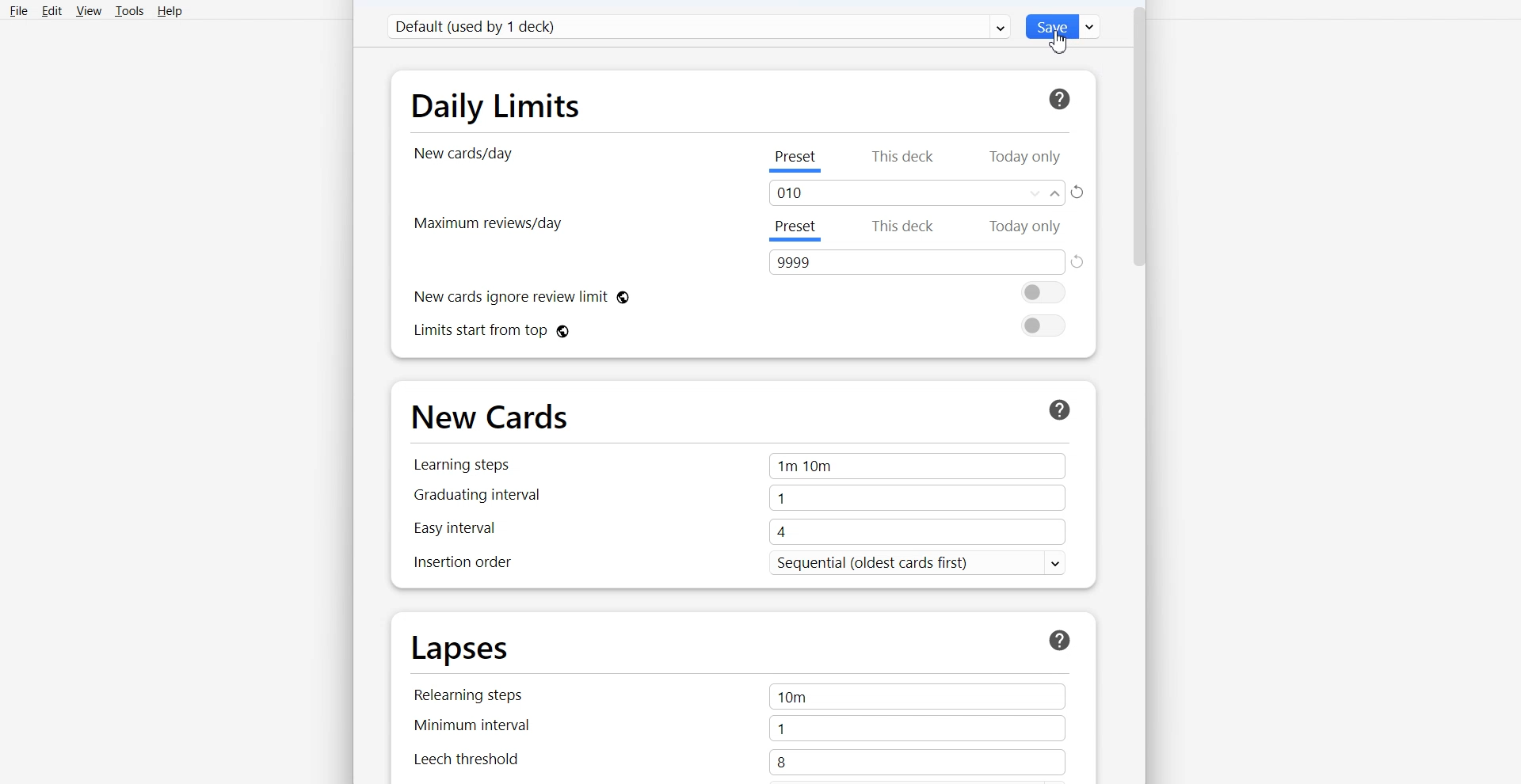 This screenshot has height=784, width=1521. What do you see at coordinates (19, 10) in the screenshot?
I see `File` at bounding box center [19, 10].